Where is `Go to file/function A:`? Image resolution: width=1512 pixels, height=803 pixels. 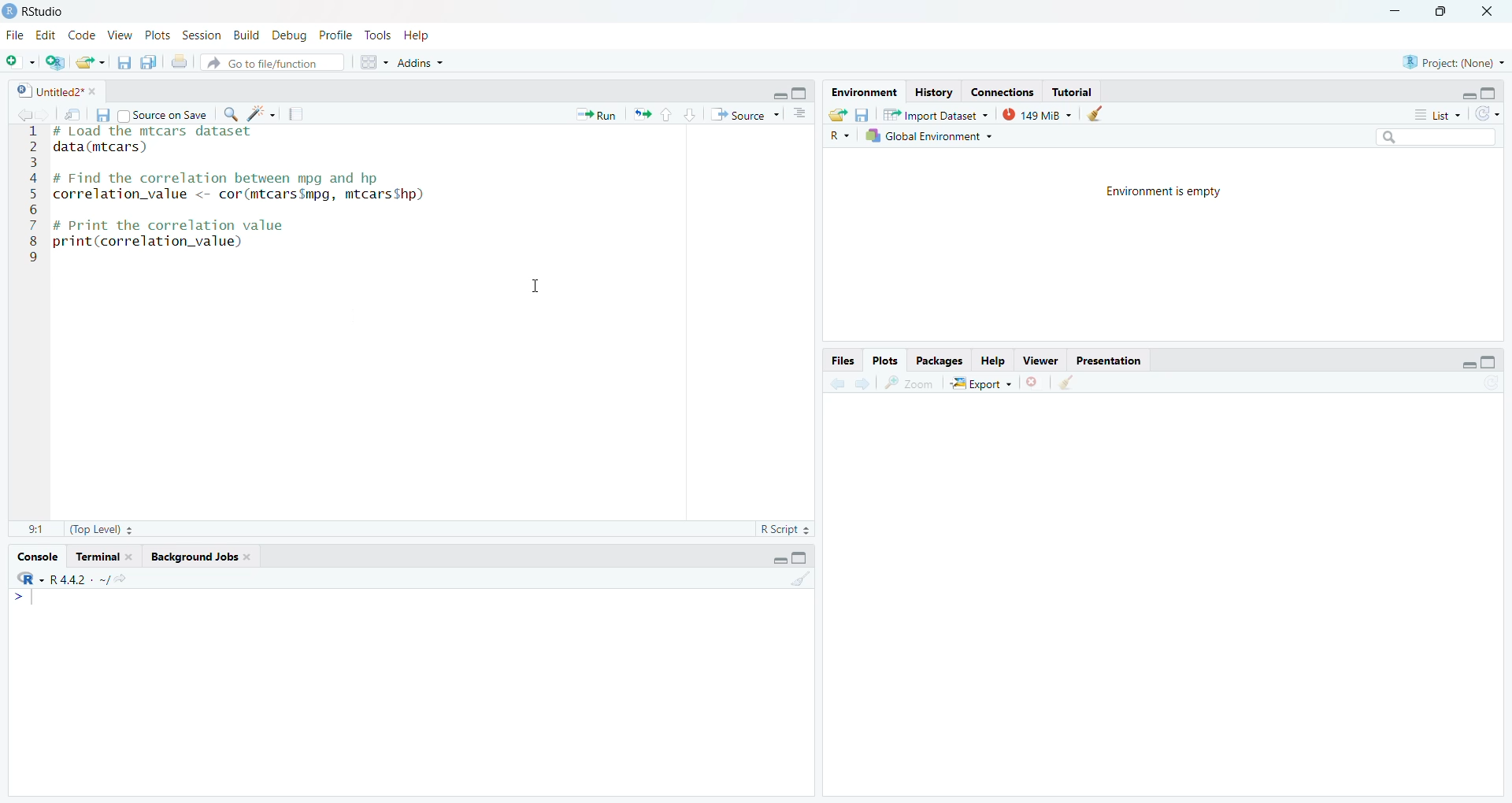 Go to file/function A: is located at coordinates (275, 62).